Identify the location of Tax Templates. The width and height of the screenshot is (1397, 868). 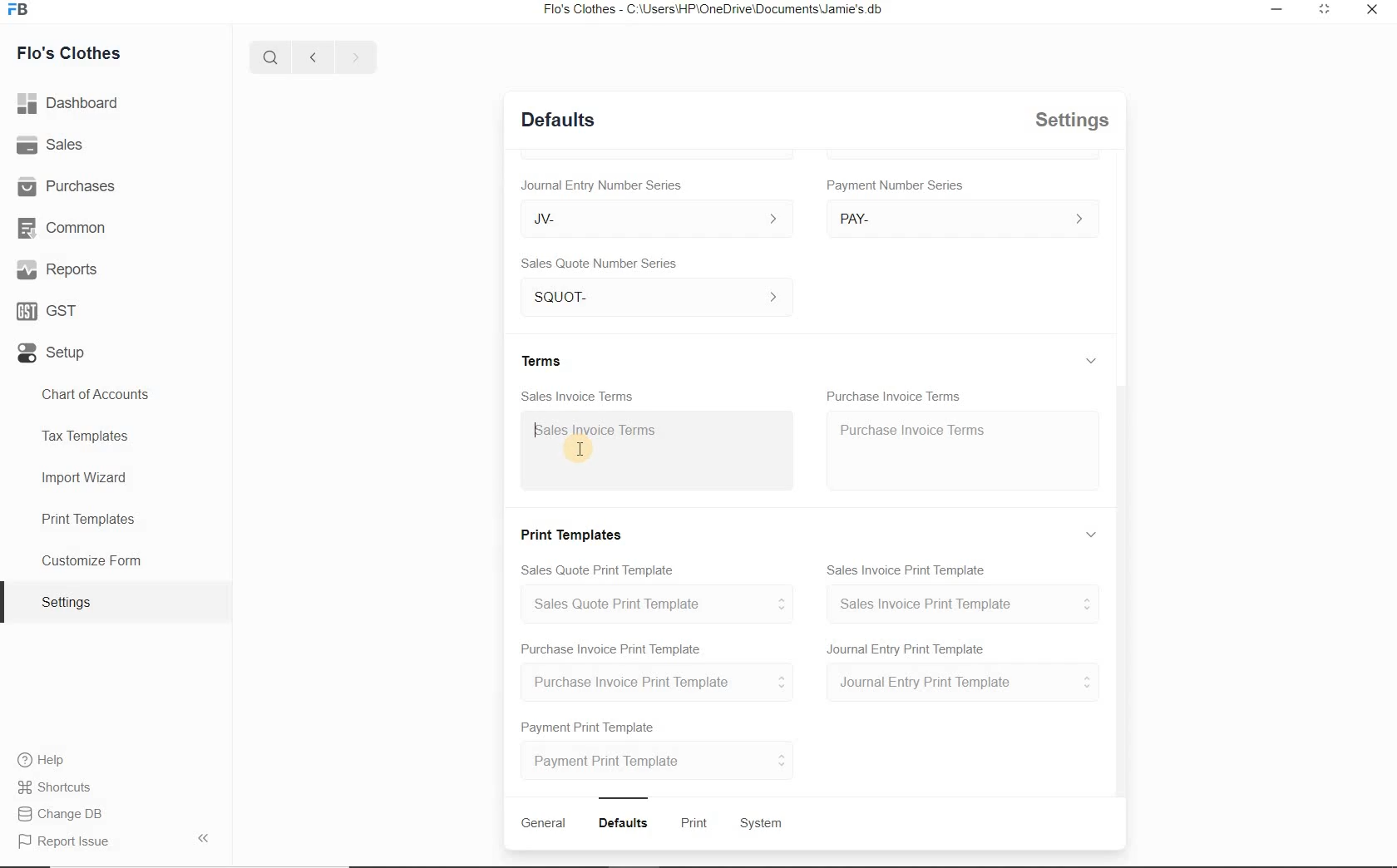
(91, 435).